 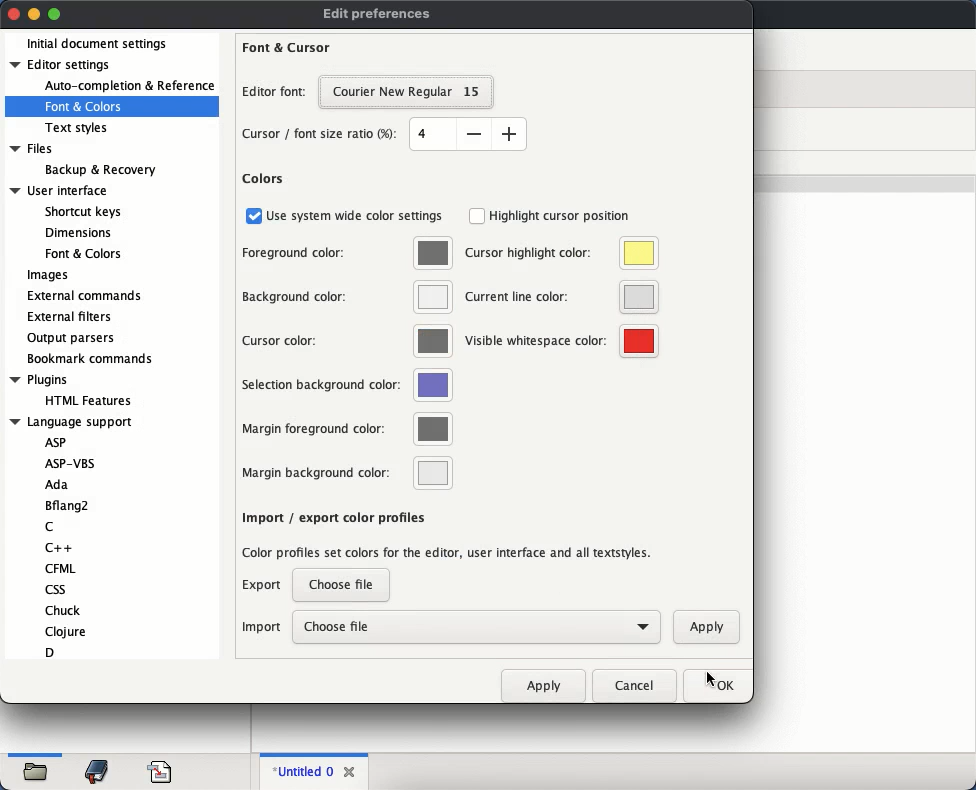 I want to click on decrease cursor/font size ratio, so click(x=473, y=133).